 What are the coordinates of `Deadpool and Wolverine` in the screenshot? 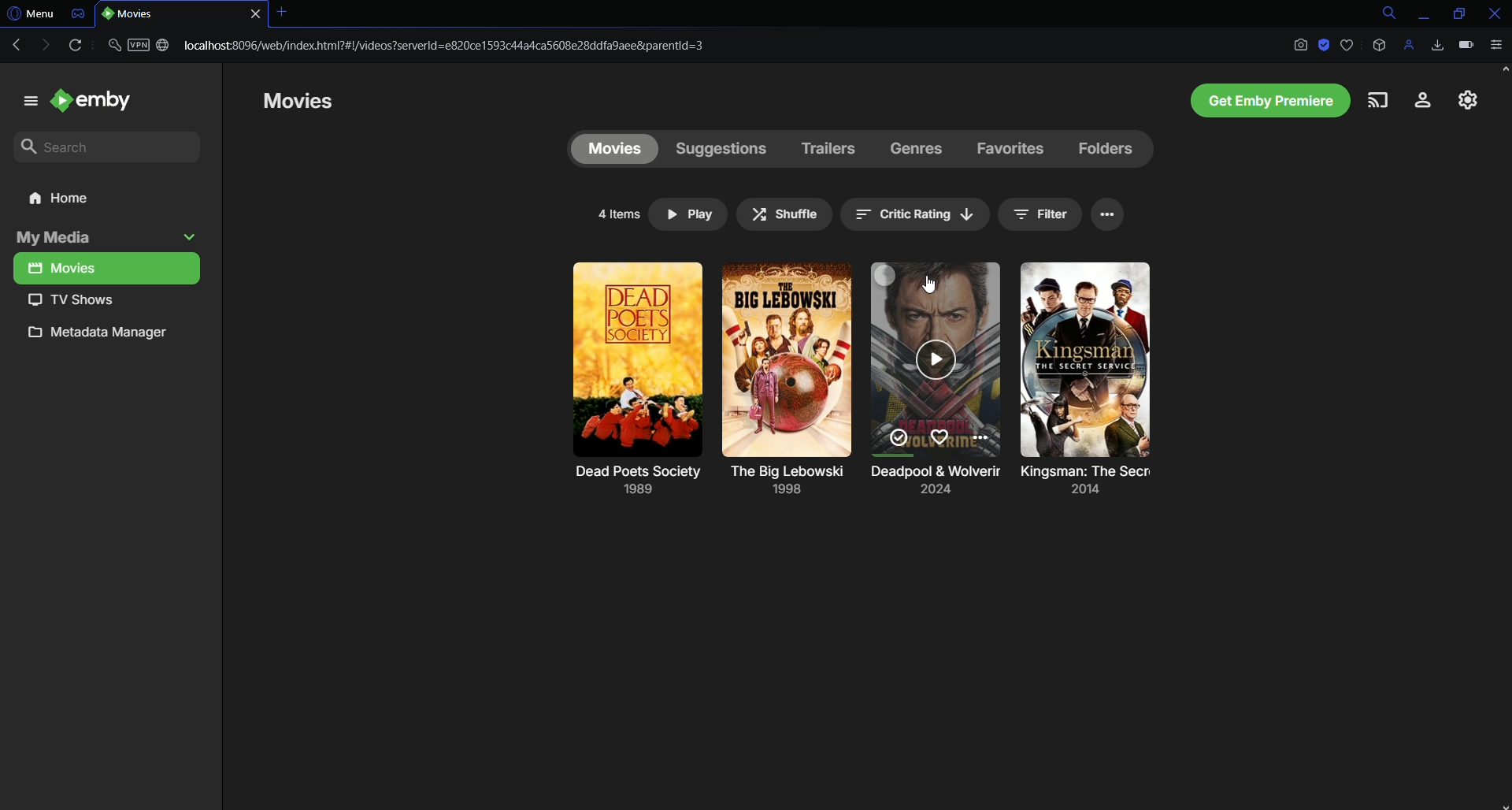 It's located at (781, 485).